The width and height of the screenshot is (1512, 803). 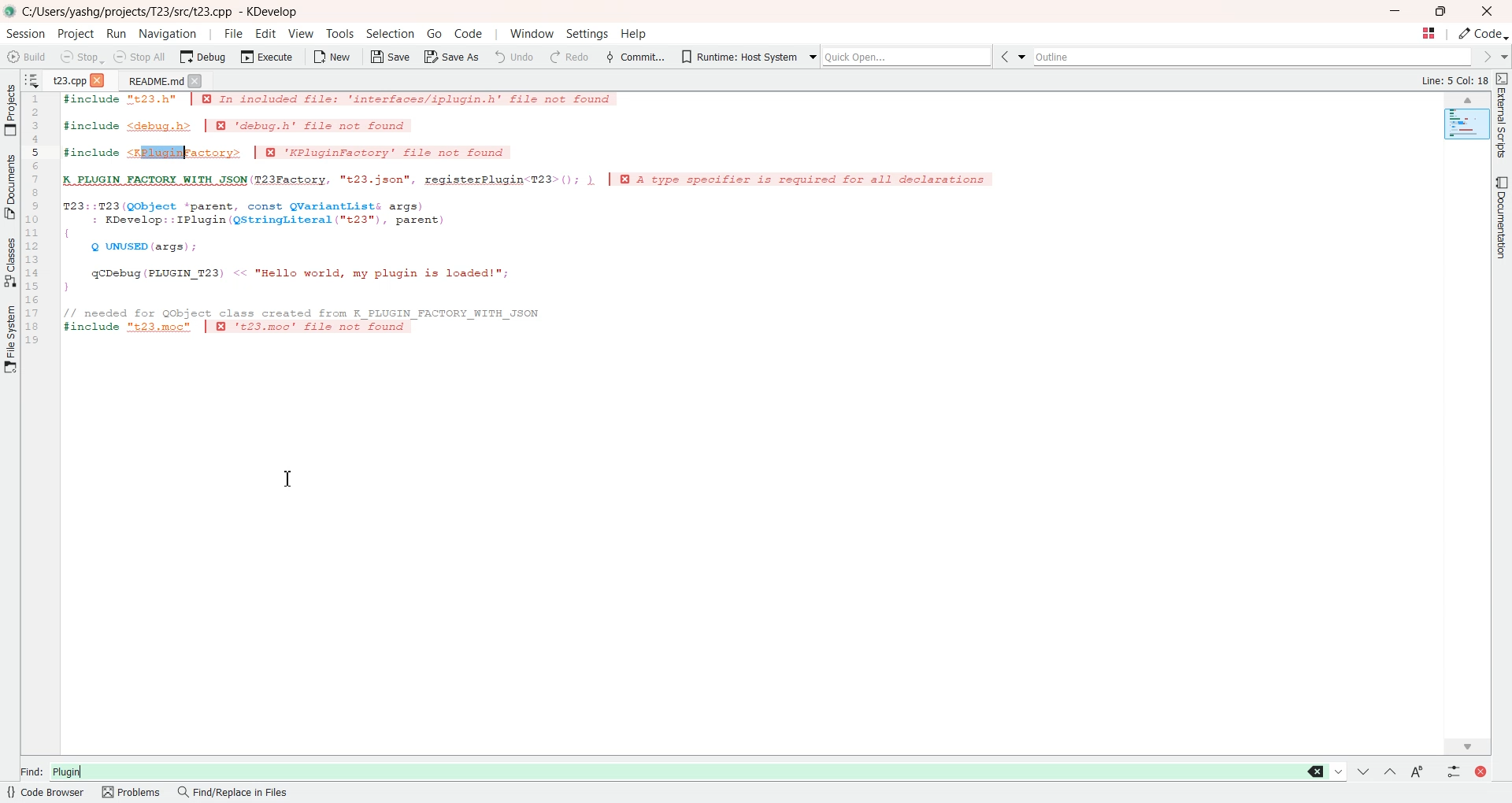 I want to click on Navigation, so click(x=167, y=33).